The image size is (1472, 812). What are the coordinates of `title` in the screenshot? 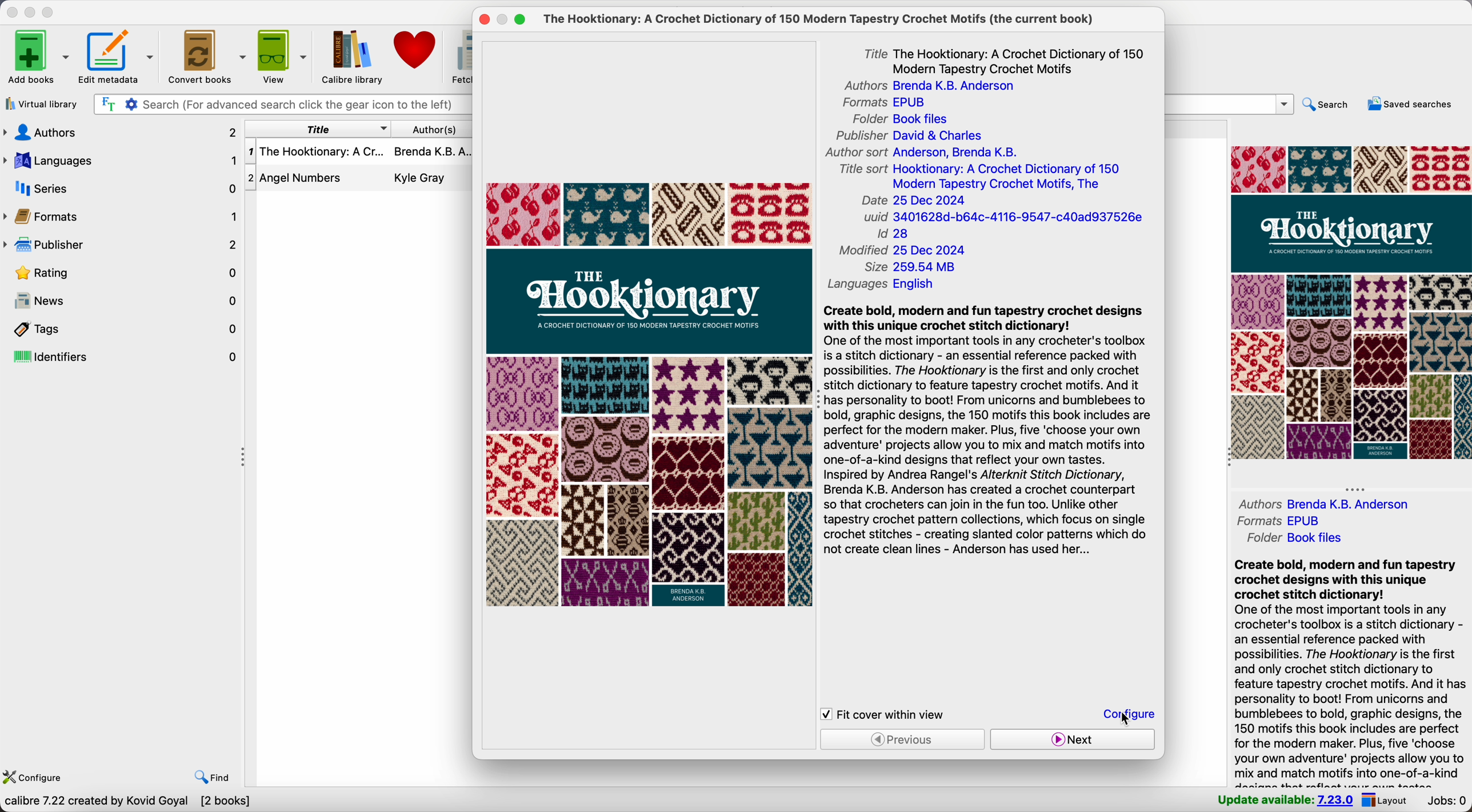 It's located at (1006, 59).